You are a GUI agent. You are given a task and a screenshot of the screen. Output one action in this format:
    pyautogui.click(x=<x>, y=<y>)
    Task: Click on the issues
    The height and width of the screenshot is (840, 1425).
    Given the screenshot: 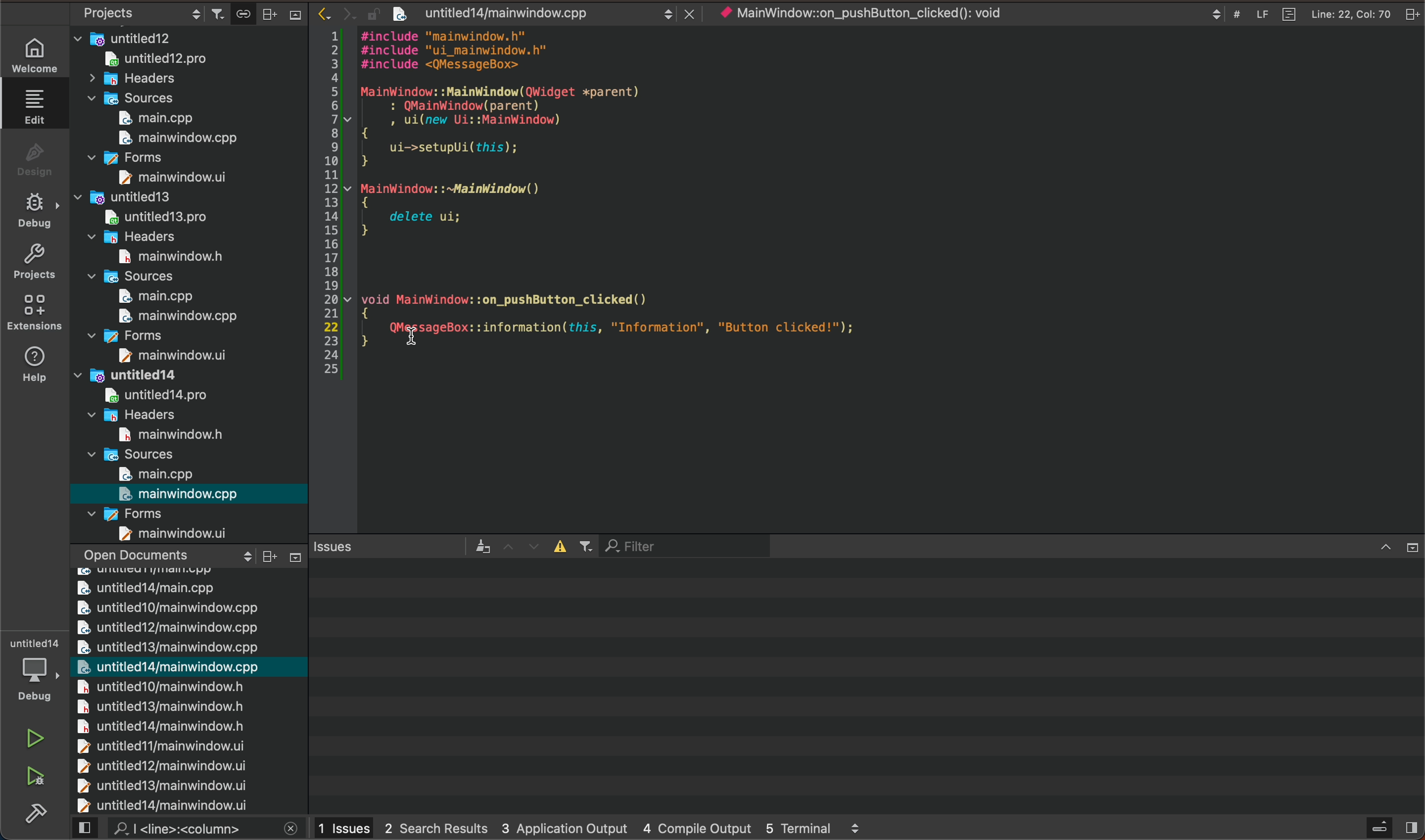 What is the action you would take?
    pyautogui.click(x=403, y=546)
    